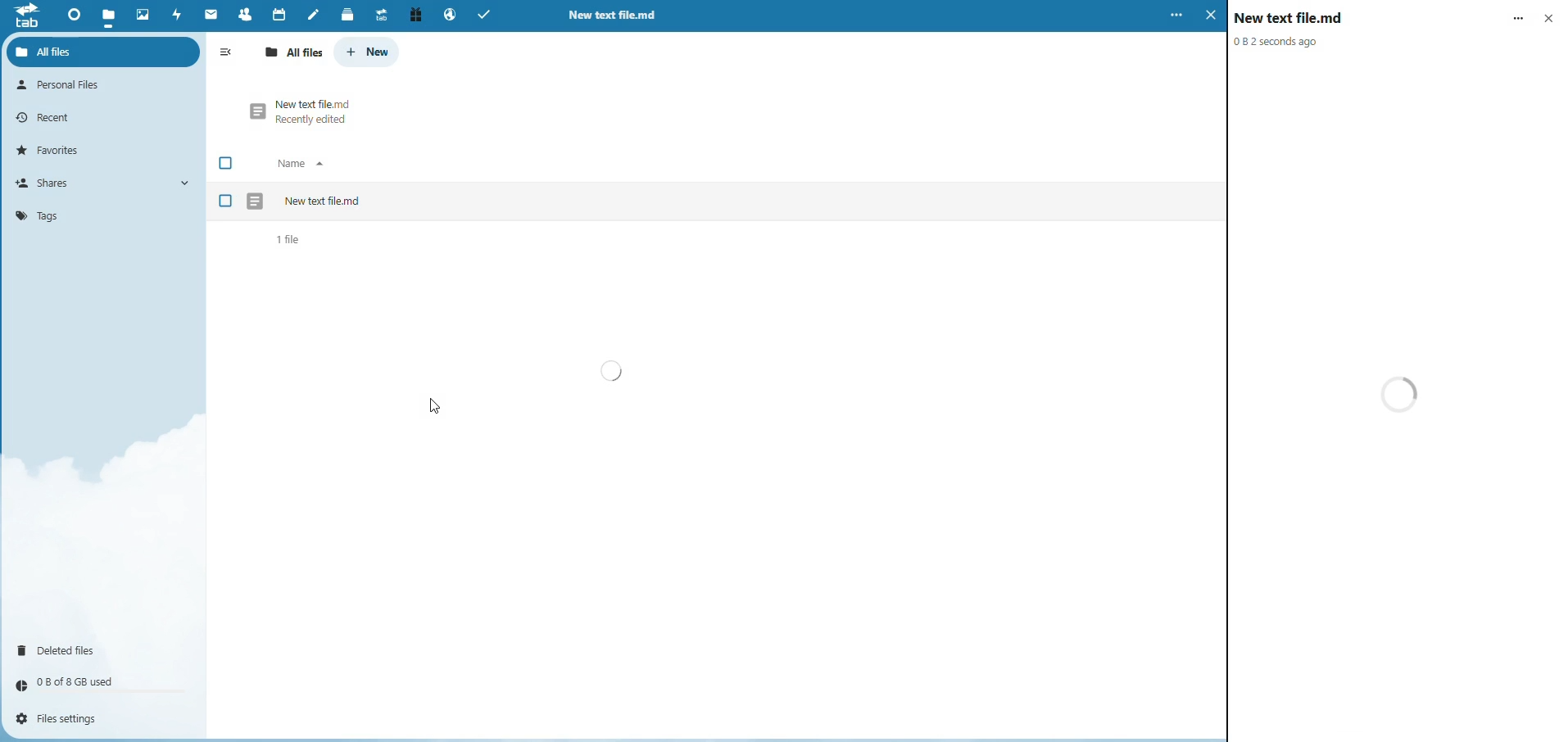 The width and height of the screenshot is (1568, 742). What do you see at coordinates (304, 164) in the screenshot?
I see `Sorted by Name` at bounding box center [304, 164].